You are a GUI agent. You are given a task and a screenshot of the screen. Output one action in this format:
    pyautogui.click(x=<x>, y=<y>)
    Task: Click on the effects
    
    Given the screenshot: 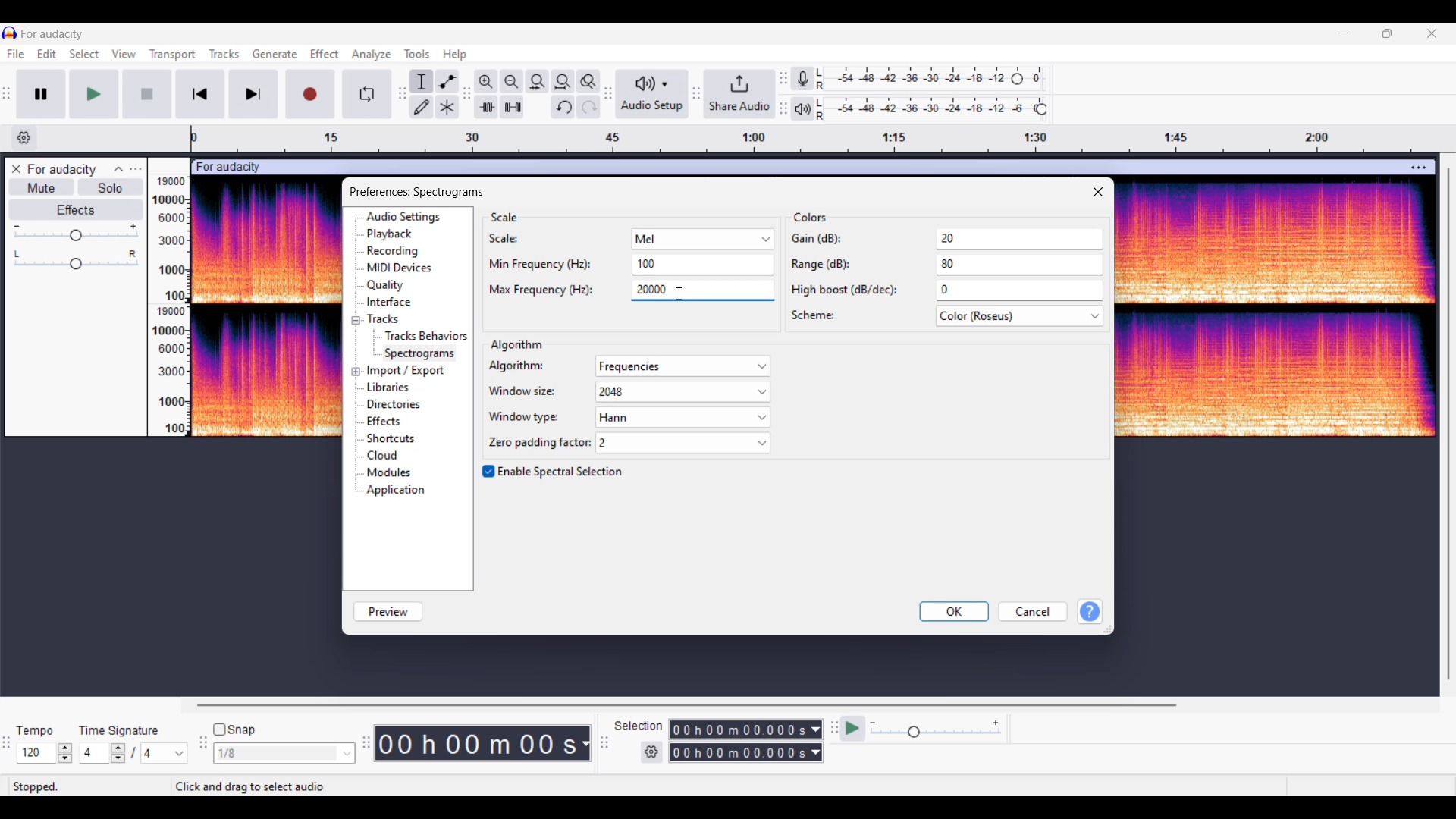 What is the action you would take?
    pyautogui.click(x=393, y=422)
    